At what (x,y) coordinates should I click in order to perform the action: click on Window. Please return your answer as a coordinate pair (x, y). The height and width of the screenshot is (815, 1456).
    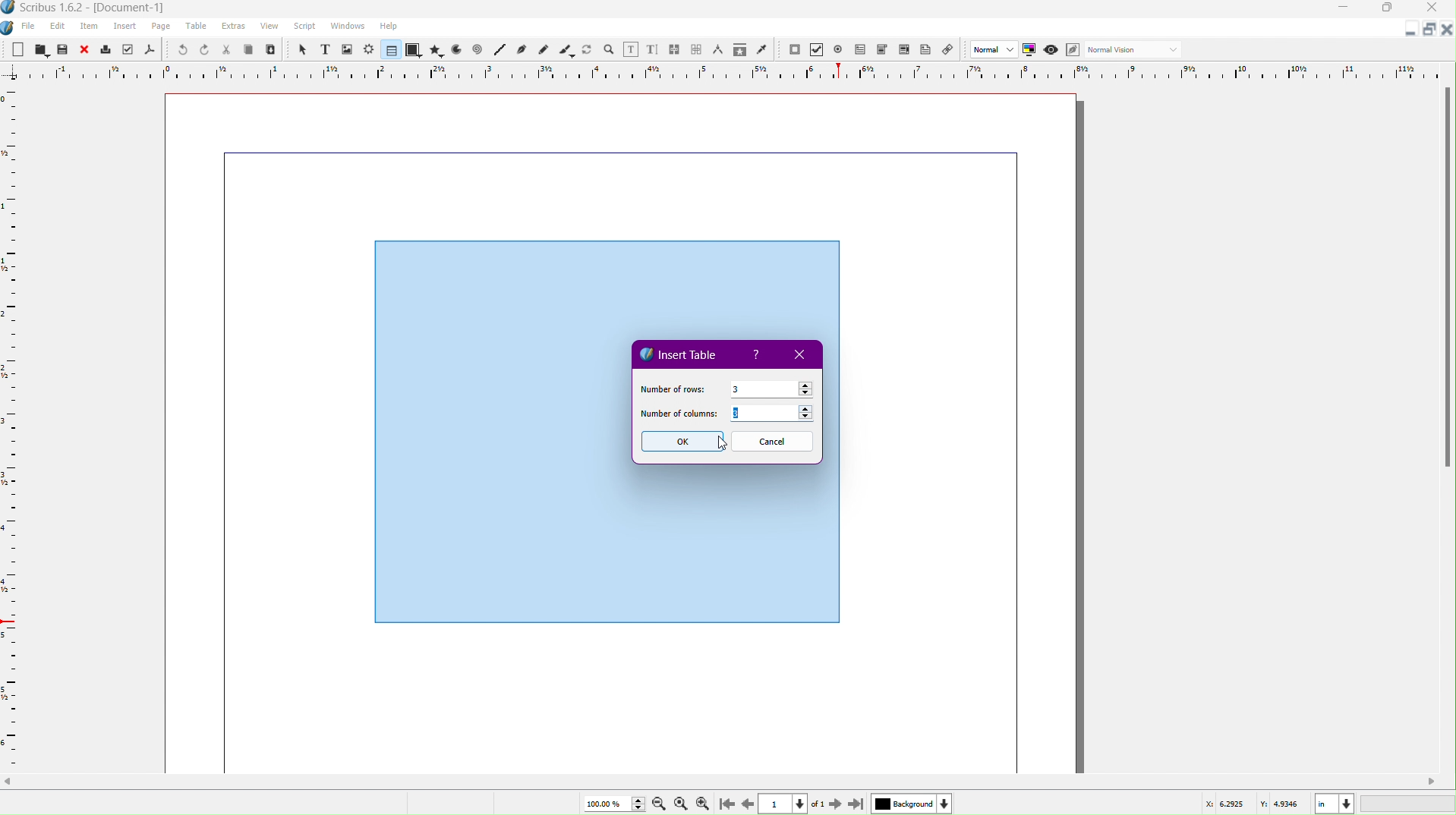
    Looking at the image, I should click on (345, 28).